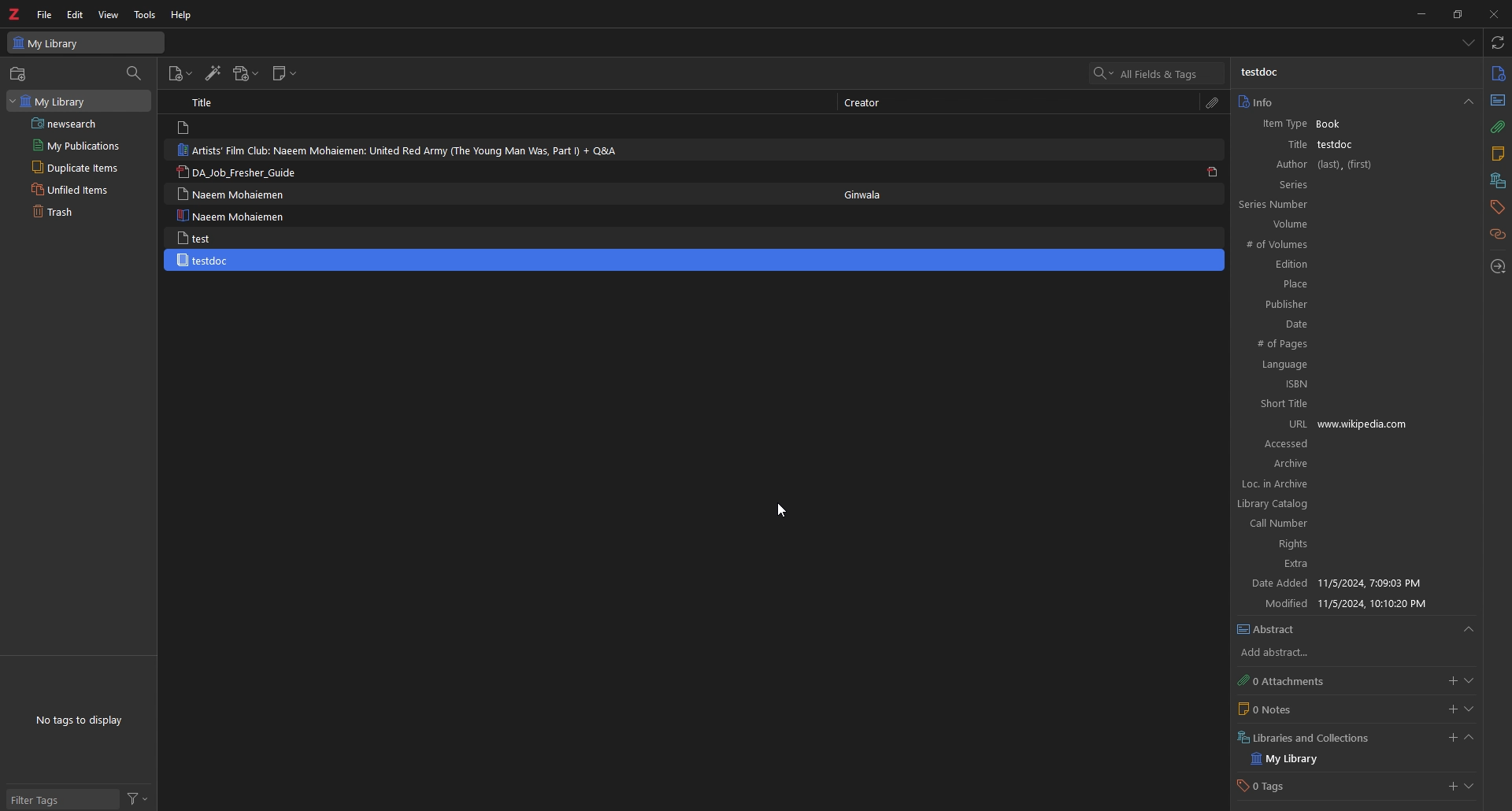 The image size is (1512, 811). I want to click on abstract, so click(1495, 101).